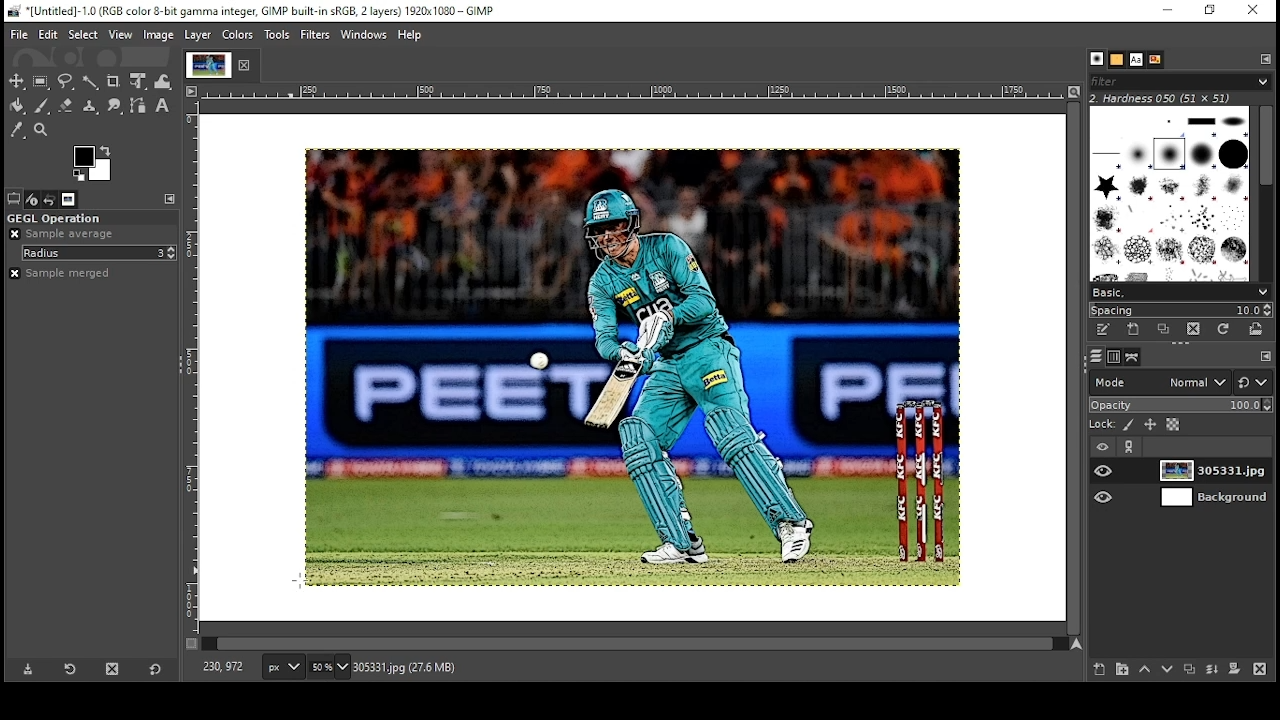  What do you see at coordinates (60, 273) in the screenshot?
I see `sample merged` at bounding box center [60, 273].